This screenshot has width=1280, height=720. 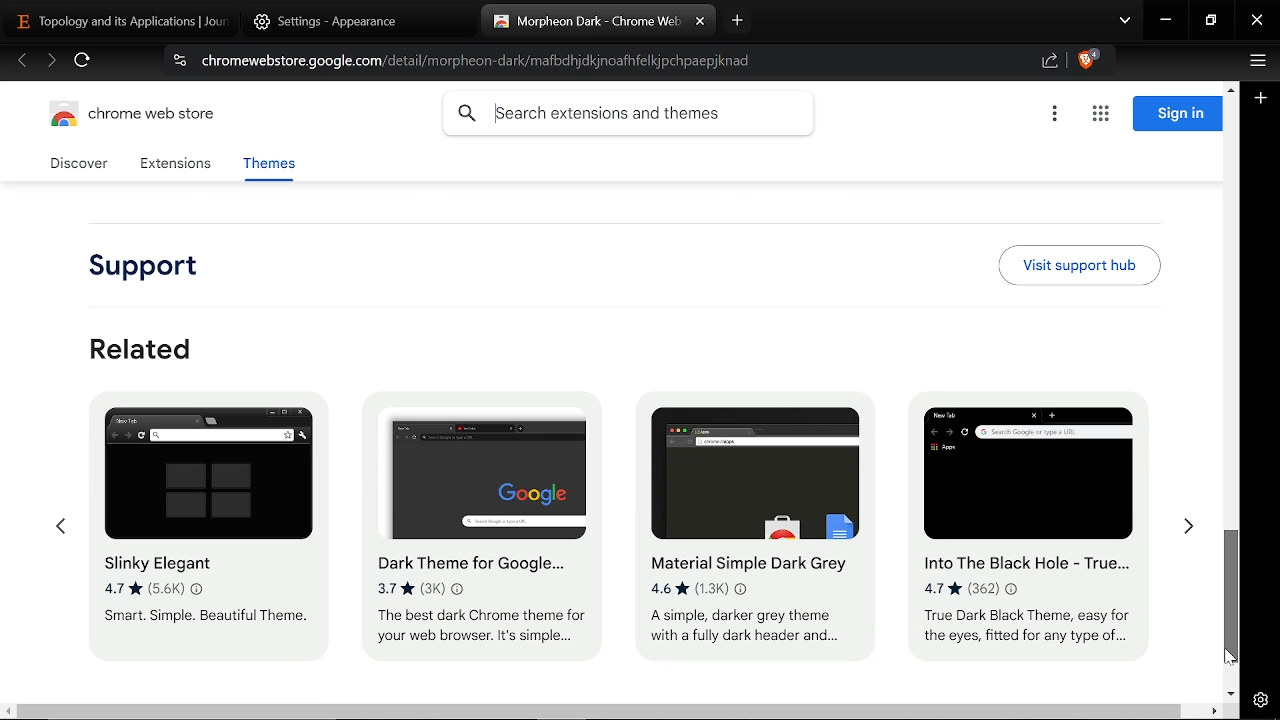 I want to click on Discover, so click(x=82, y=164).